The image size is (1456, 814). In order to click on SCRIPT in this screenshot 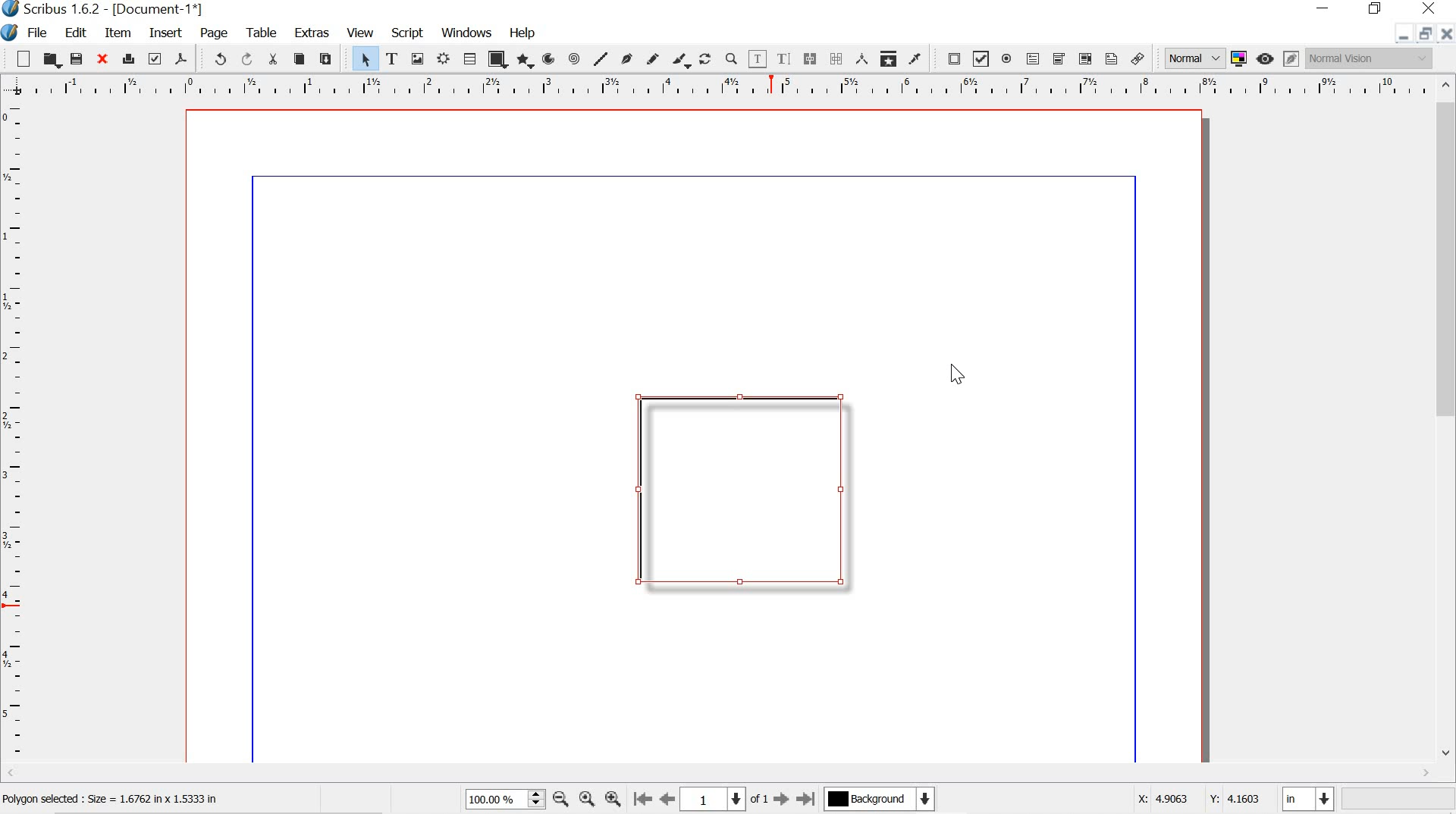, I will do `click(408, 31)`.